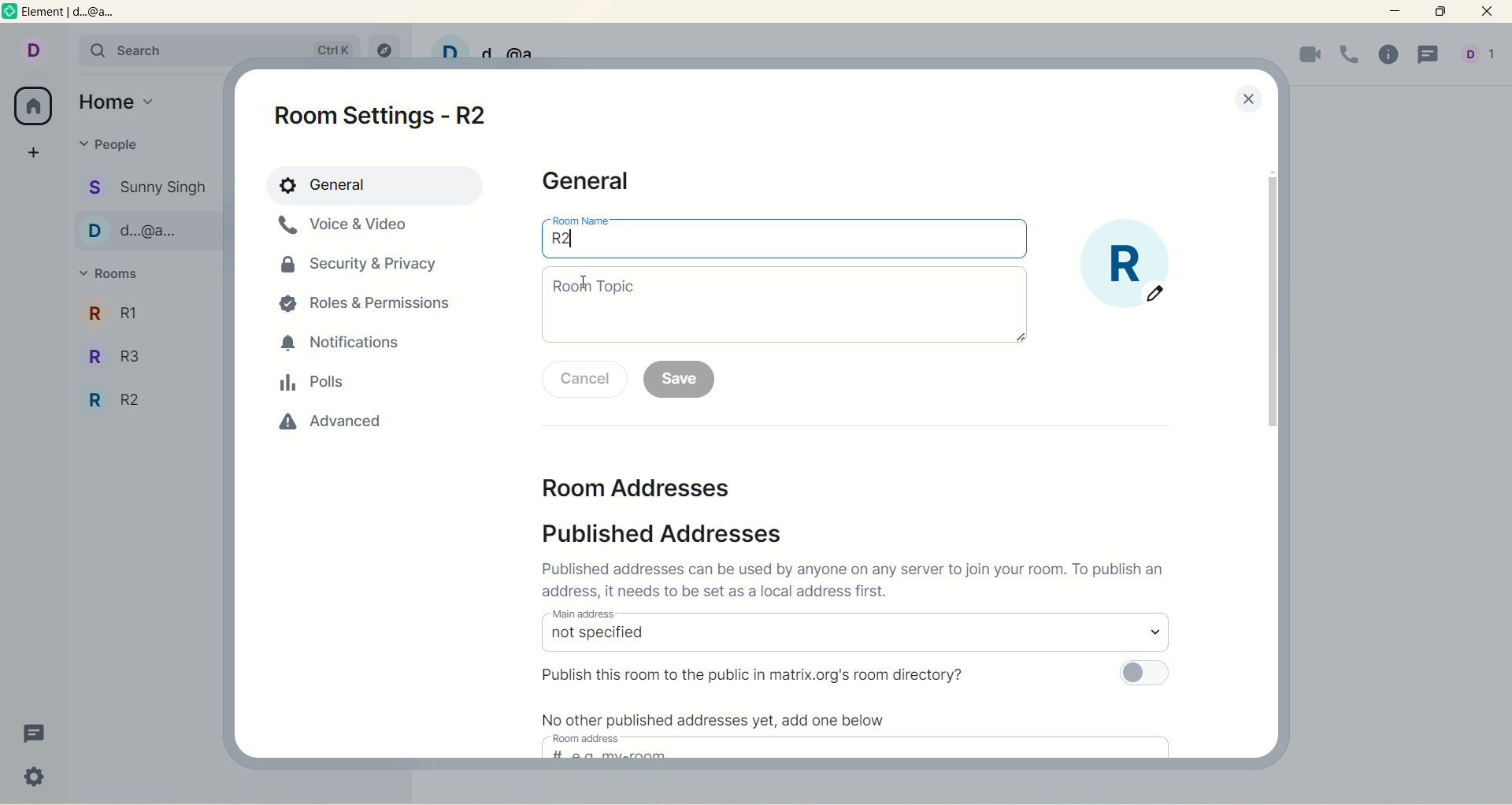  I want to click on general, so click(372, 185).